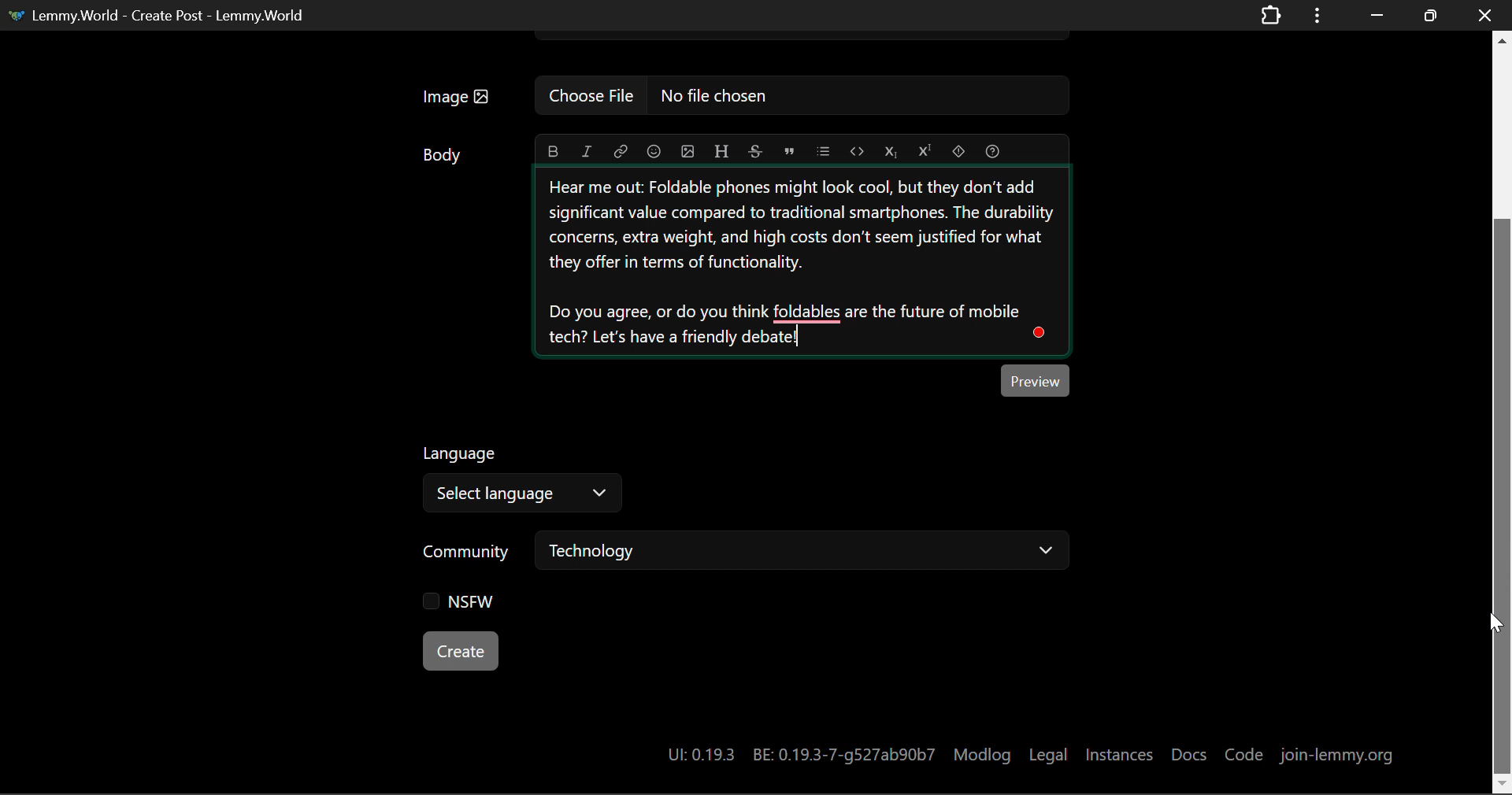  I want to click on spoiler, so click(958, 152).